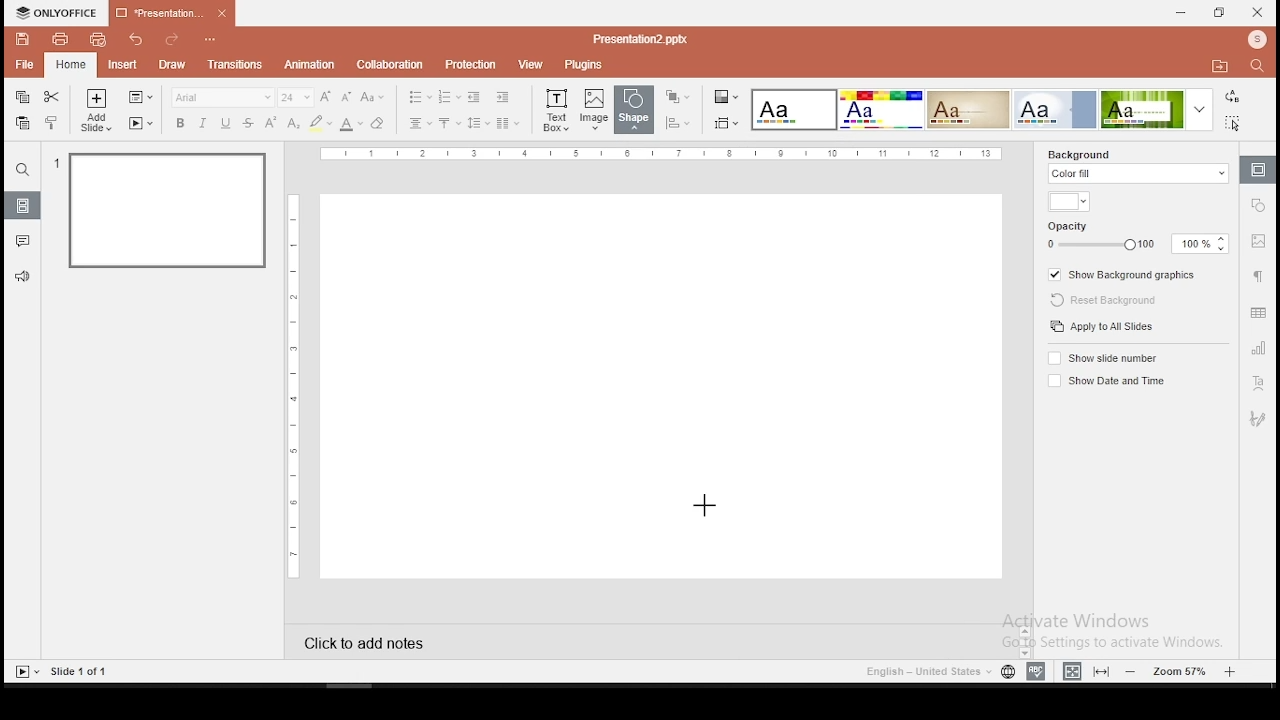 This screenshot has width=1280, height=720. I want to click on english - united states, so click(927, 674).